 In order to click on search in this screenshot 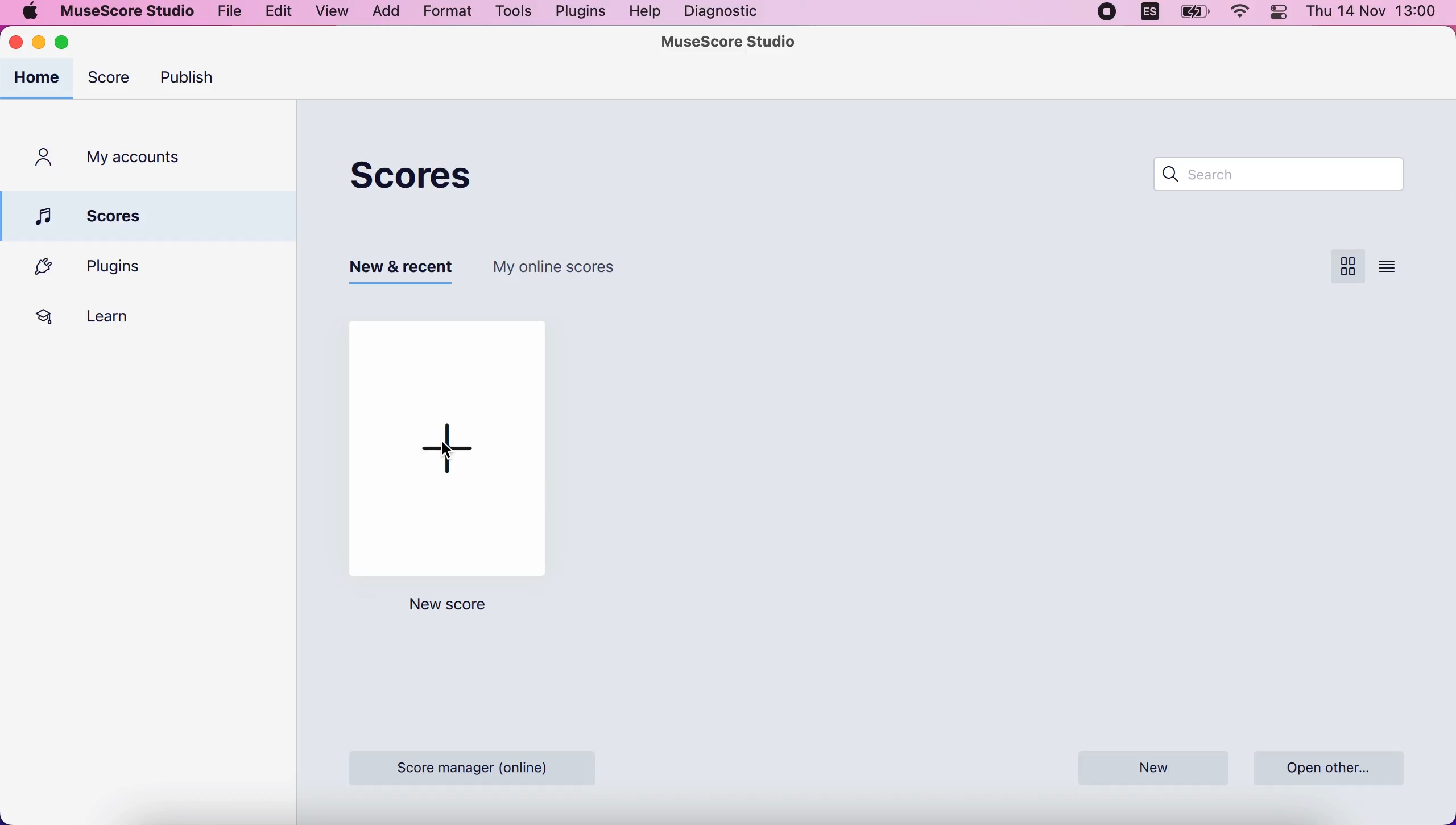, I will do `click(1268, 177)`.